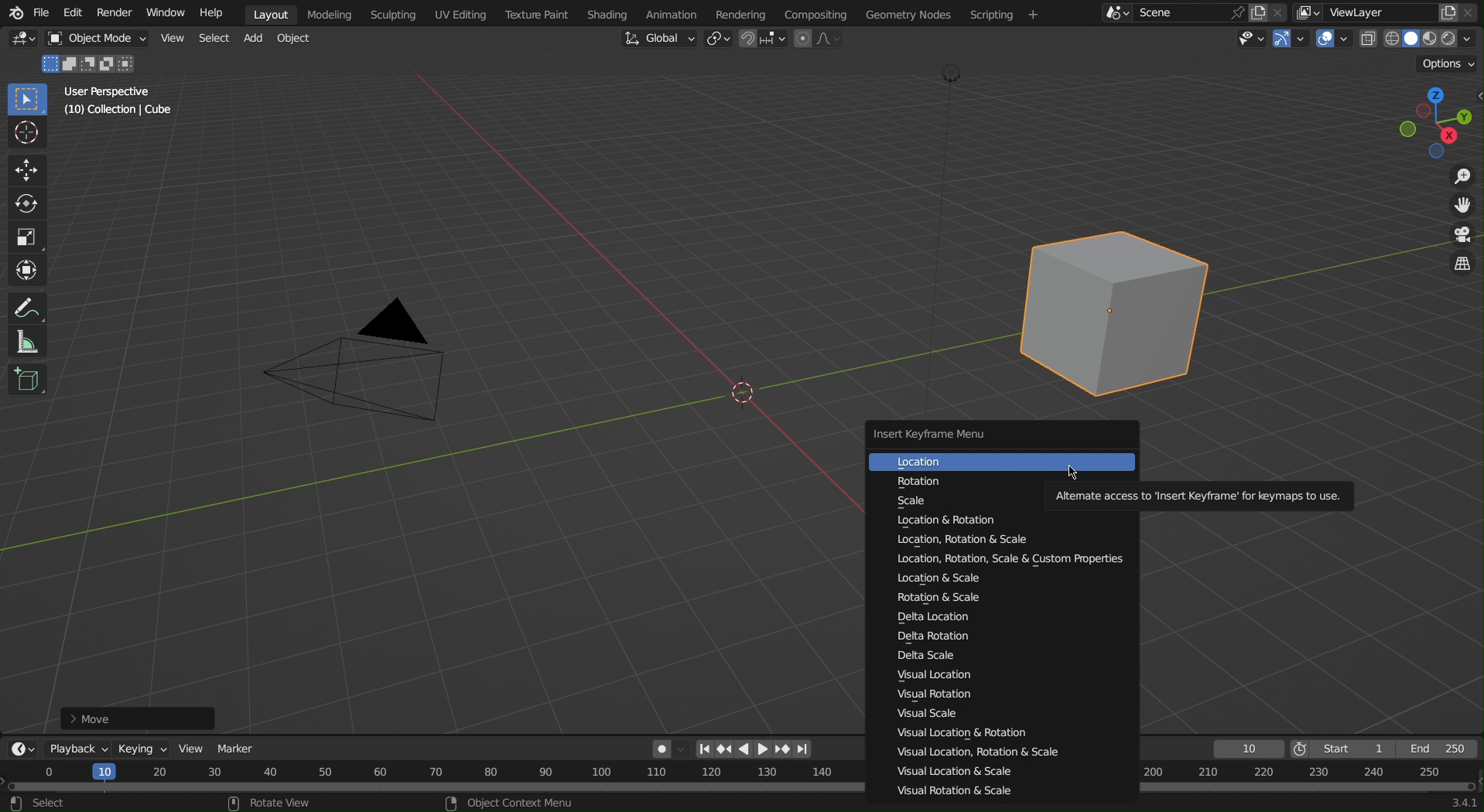 The height and width of the screenshot is (812, 1484). Describe the element at coordinates (746, 14) in the screenshot. I see `Rendering` at that location.